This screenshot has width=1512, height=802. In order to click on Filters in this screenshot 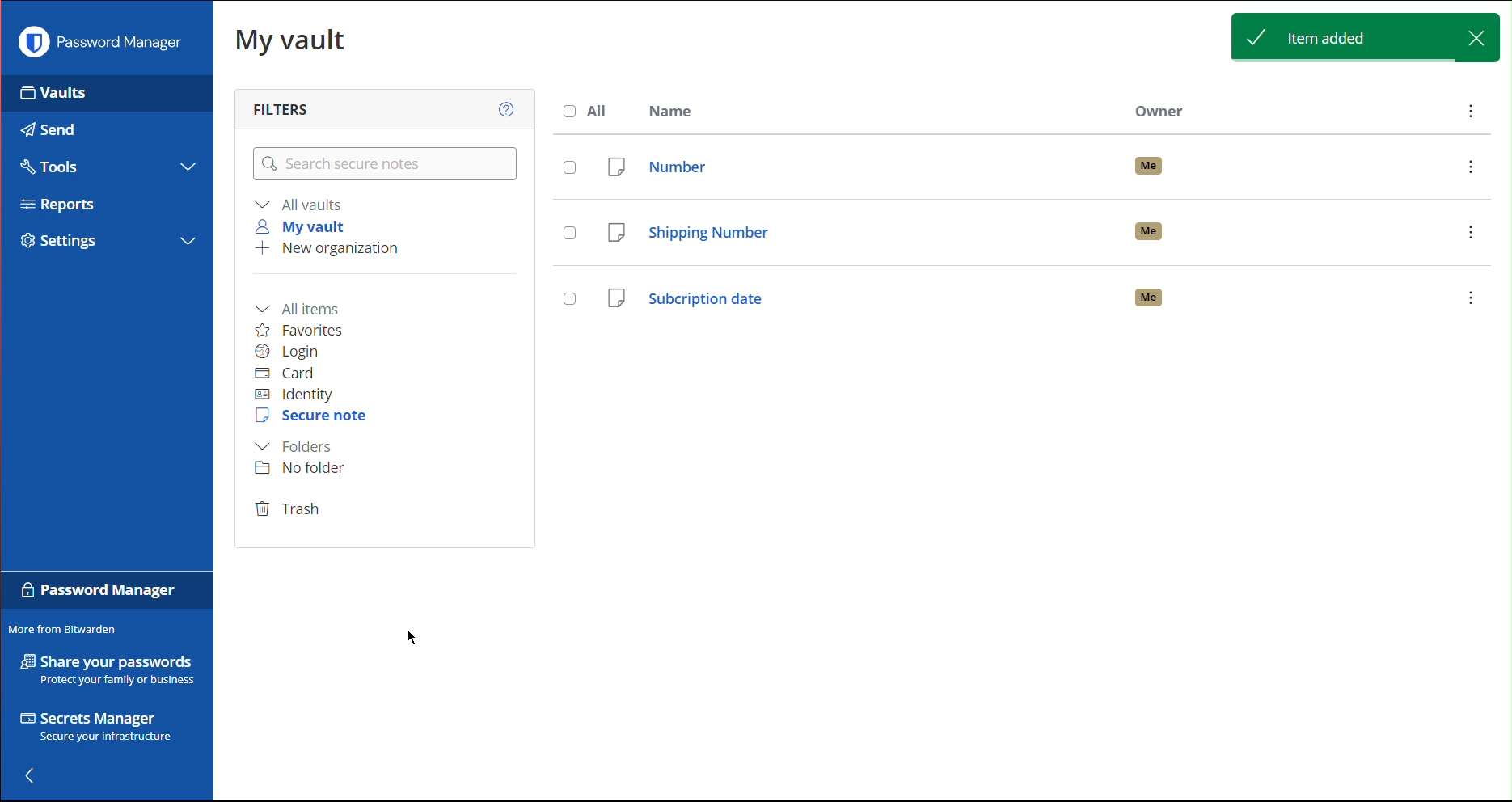, I will do `click(278, 108)`.